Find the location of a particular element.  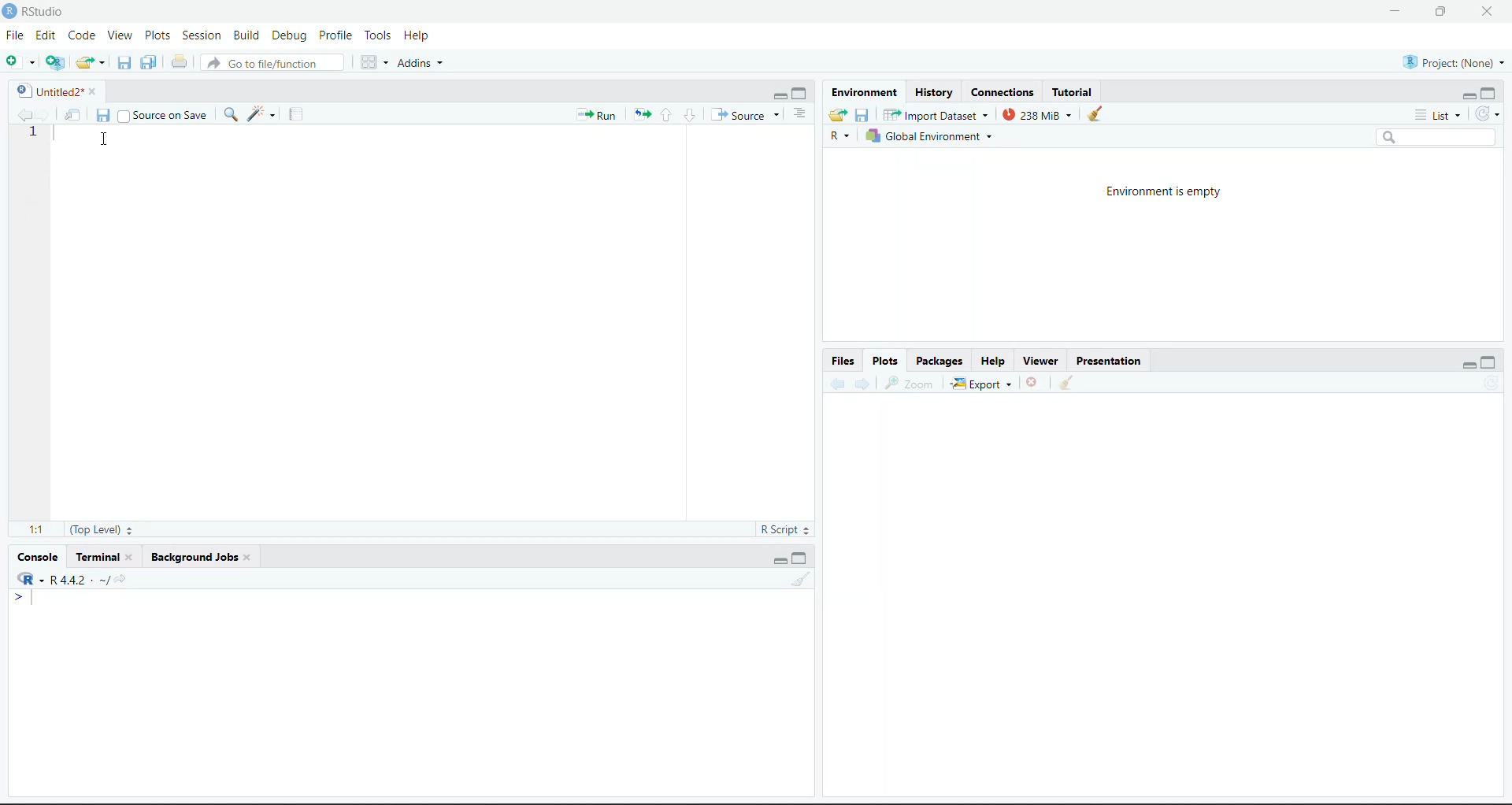

Global Environment is located at coordinates (928, 135).